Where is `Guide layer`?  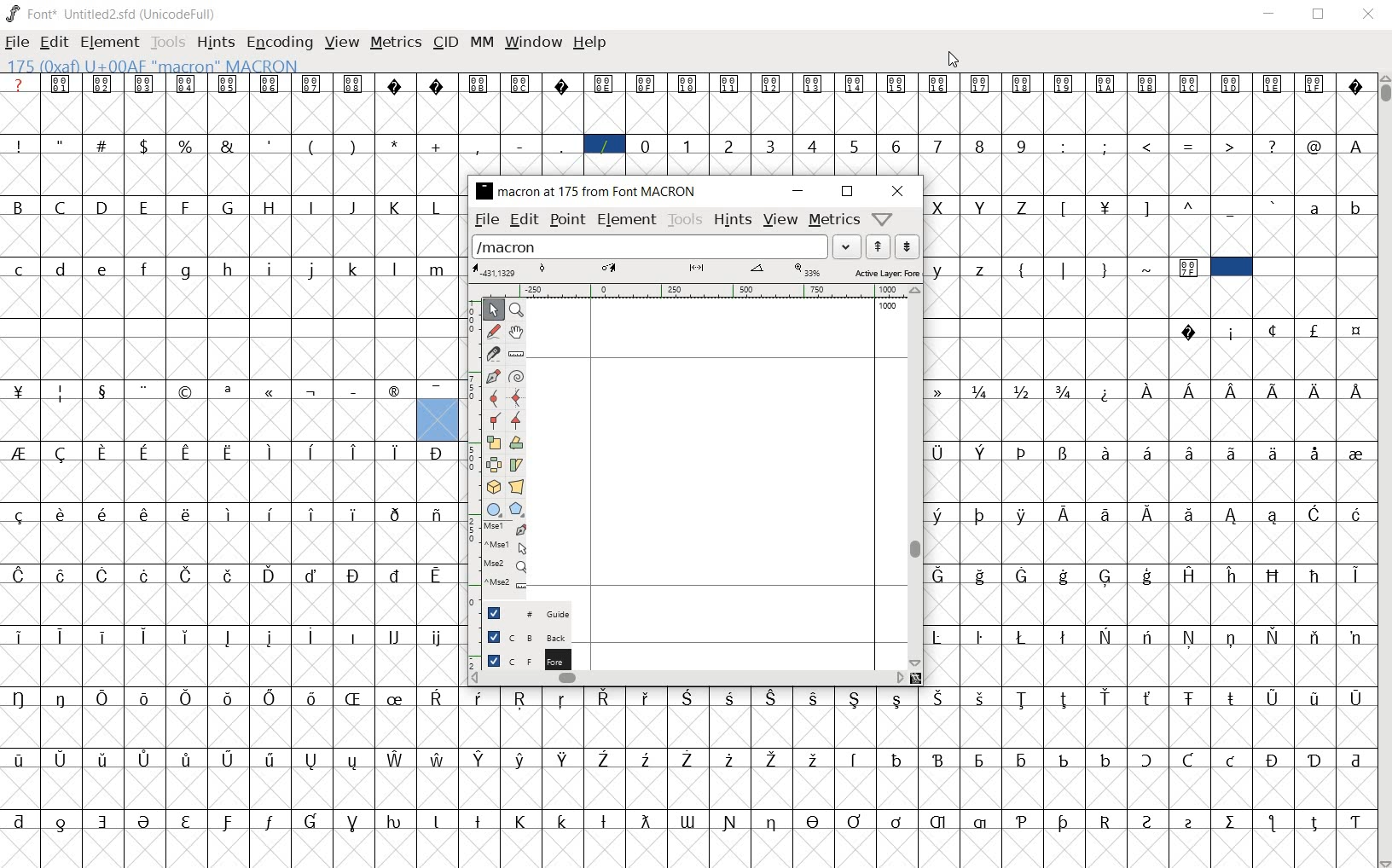 Guide layer is located at coordinates (531, 611).